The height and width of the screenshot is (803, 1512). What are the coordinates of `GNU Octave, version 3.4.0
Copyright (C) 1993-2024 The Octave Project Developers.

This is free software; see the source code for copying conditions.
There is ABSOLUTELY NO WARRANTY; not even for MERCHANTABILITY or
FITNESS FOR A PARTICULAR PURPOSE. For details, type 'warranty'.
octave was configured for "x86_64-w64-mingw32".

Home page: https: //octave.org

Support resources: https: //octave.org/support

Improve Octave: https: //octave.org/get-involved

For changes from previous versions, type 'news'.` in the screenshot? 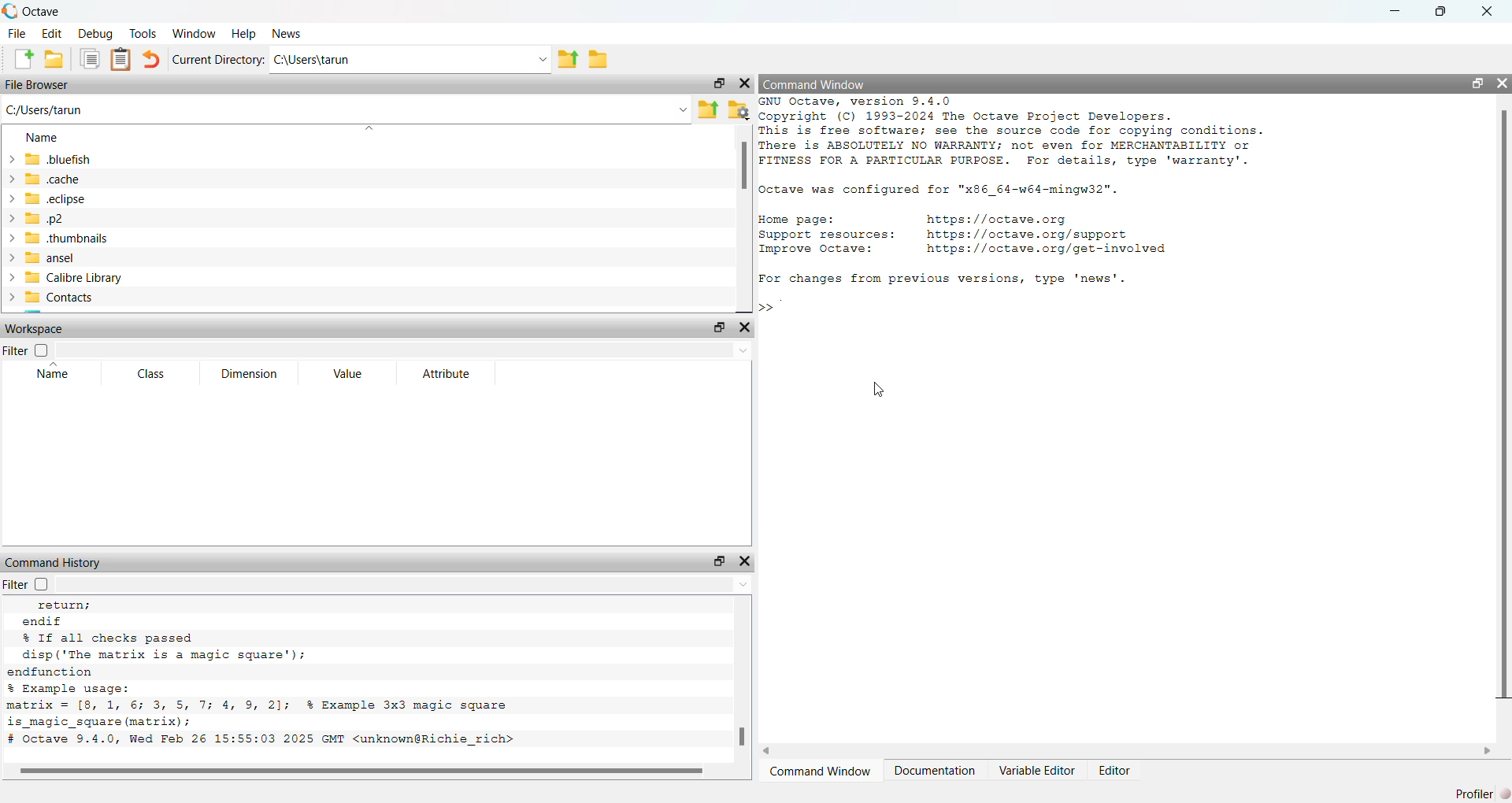 It's located at (1013, 193).